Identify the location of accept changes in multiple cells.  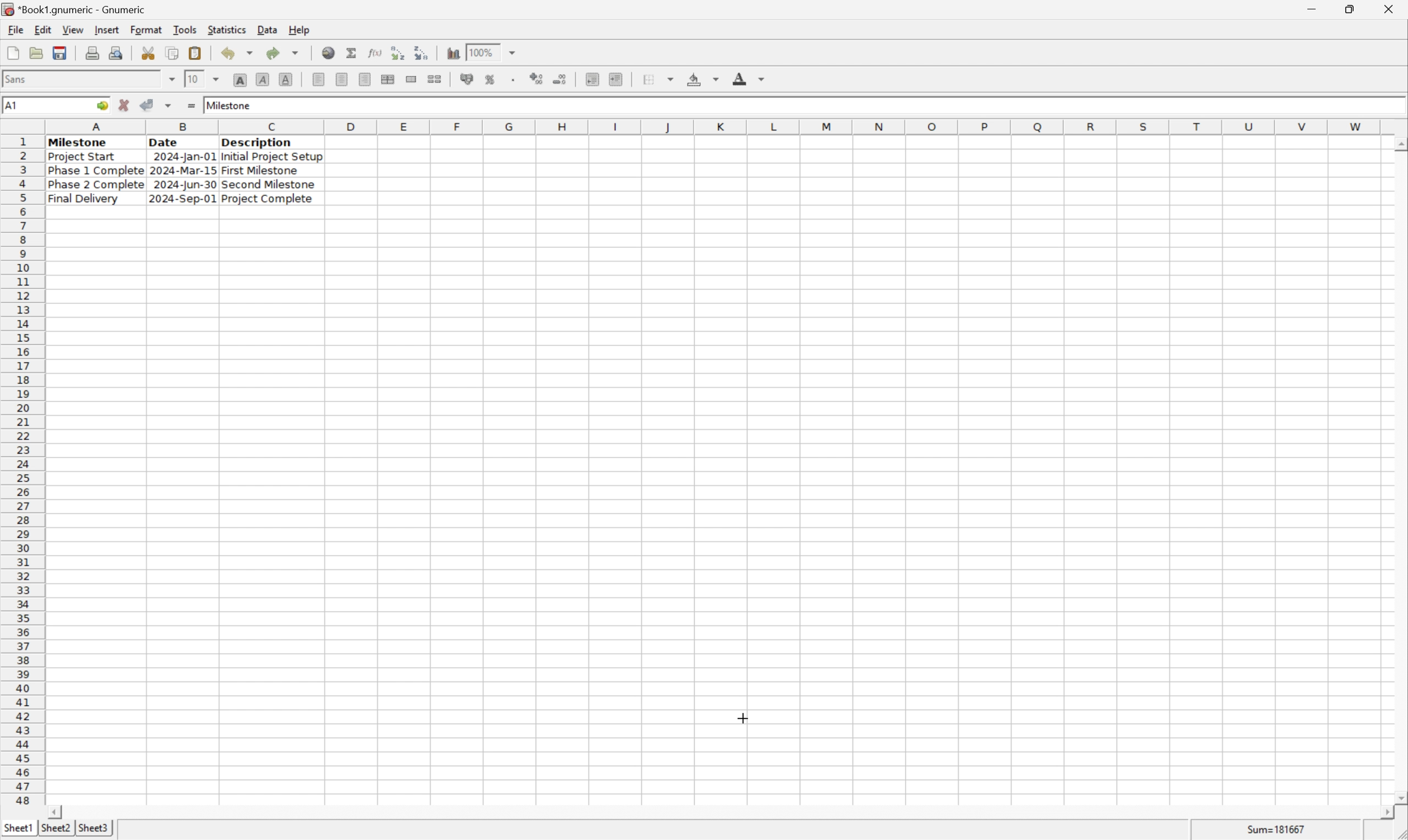
(170, 108).